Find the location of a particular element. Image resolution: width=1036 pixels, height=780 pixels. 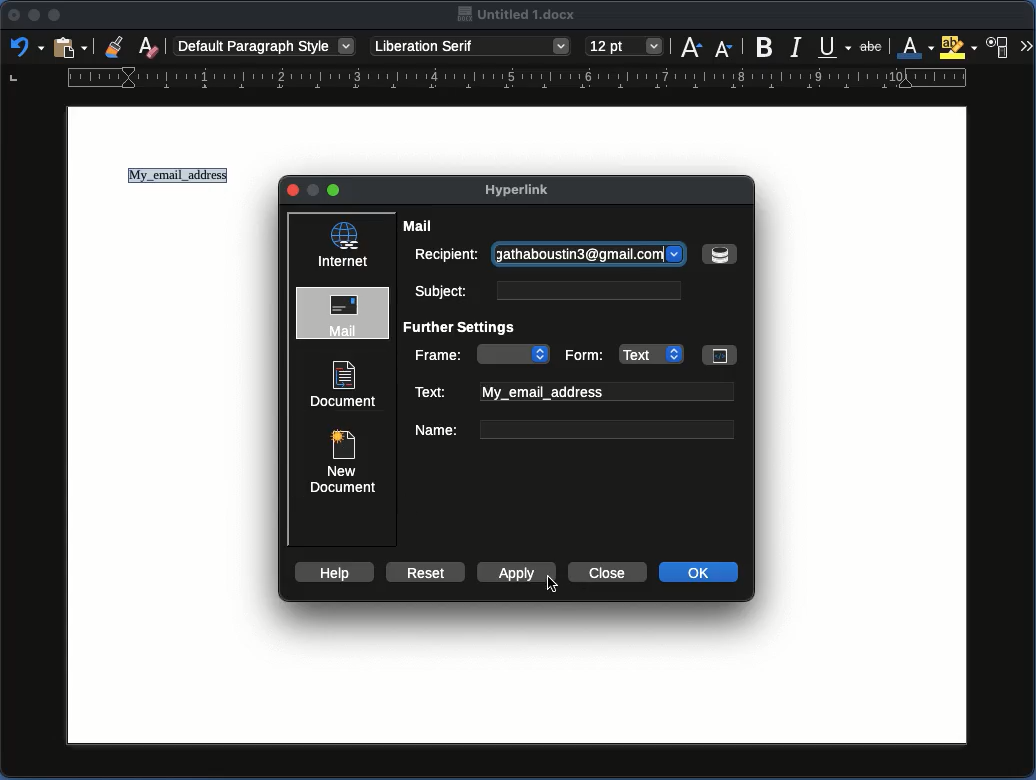

Minimize is located at coordinates (34, 16).